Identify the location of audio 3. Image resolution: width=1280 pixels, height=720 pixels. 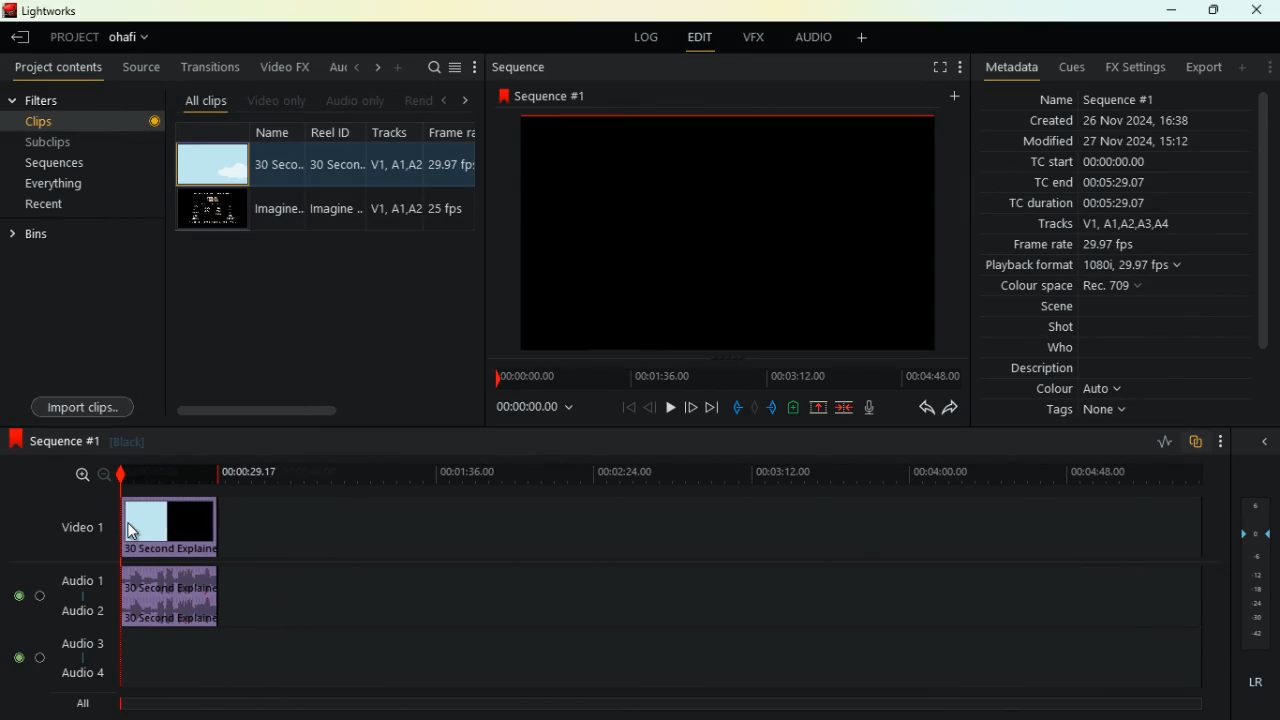
(78, 642).